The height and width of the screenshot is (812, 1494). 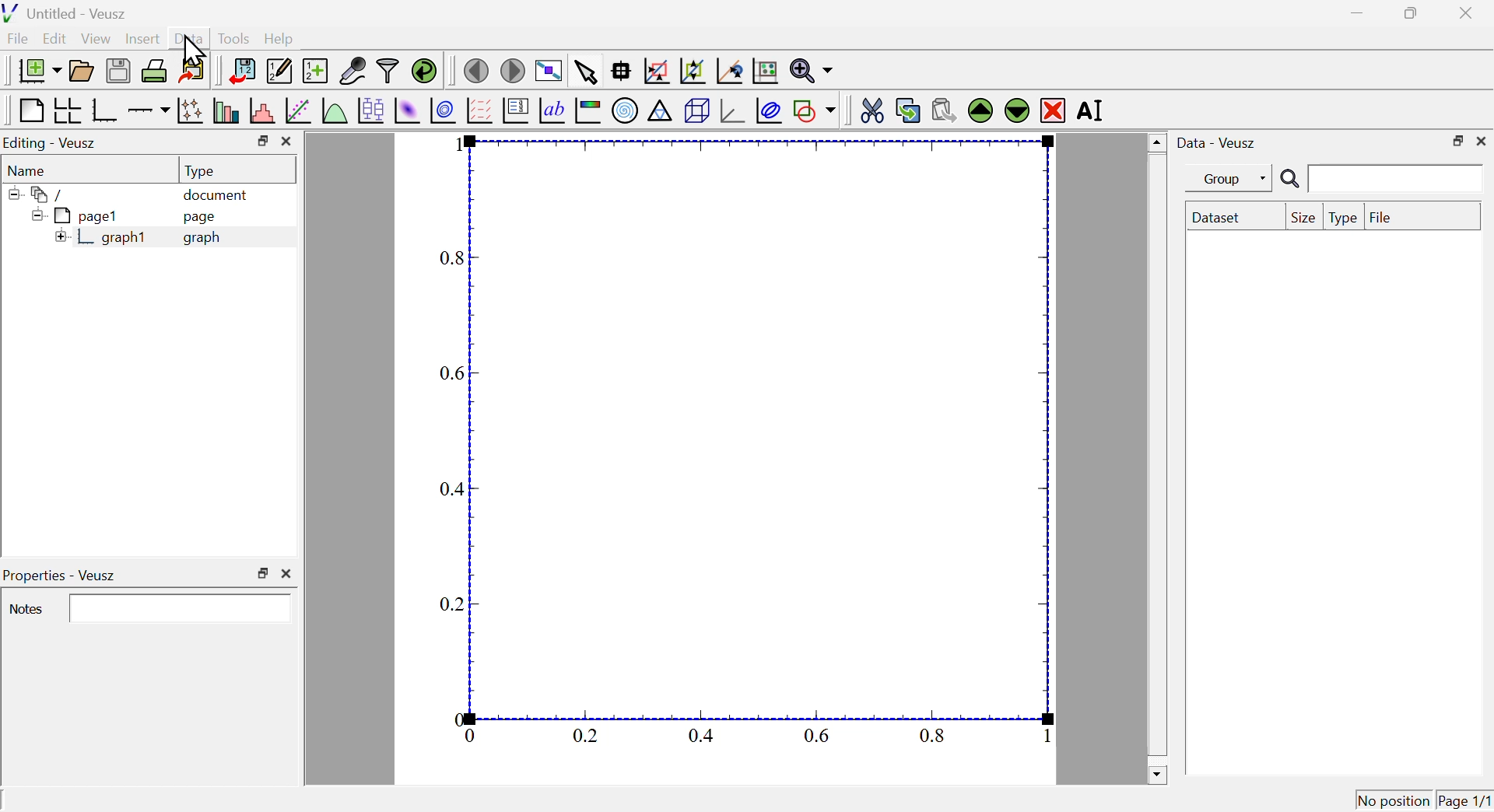 What do you see at coordinates (1050, 737) in the screenshot?
I see `1` at bounding box center [1050, 737].